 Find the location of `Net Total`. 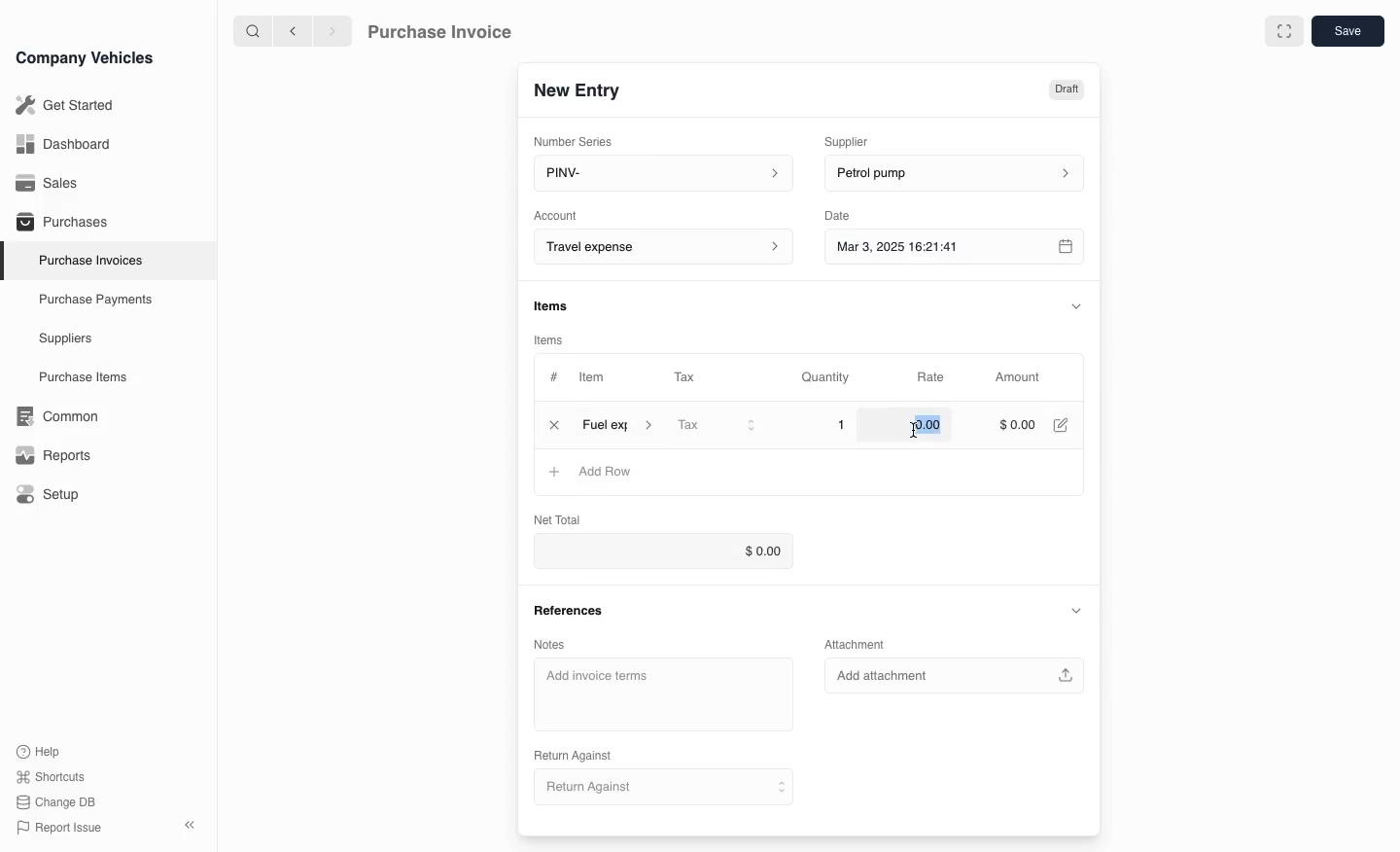

Net Total is located at coordinates (554, 518).